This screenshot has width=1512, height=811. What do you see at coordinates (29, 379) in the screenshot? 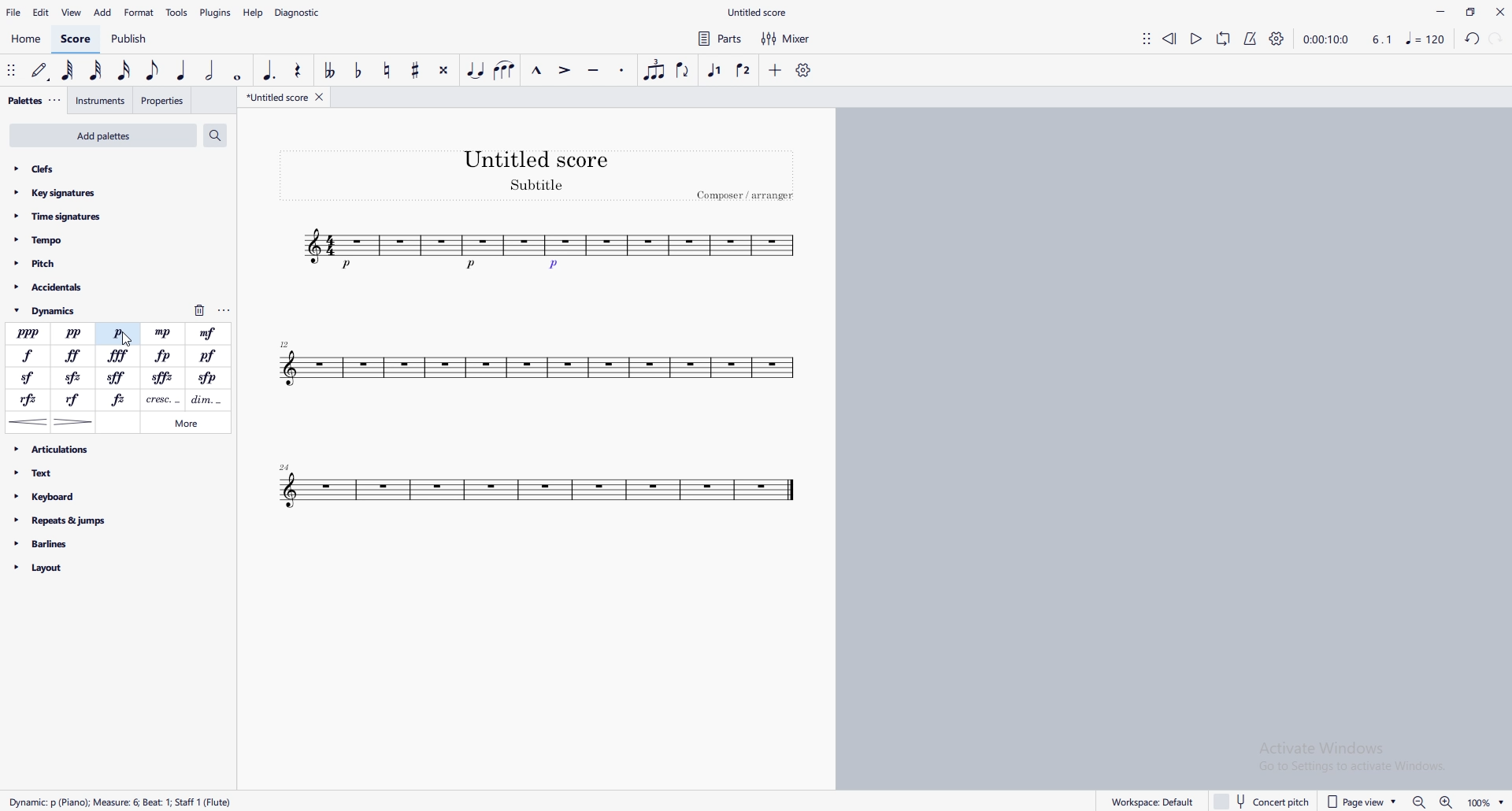
I see `sforzando` at bounding box center [29, 379].